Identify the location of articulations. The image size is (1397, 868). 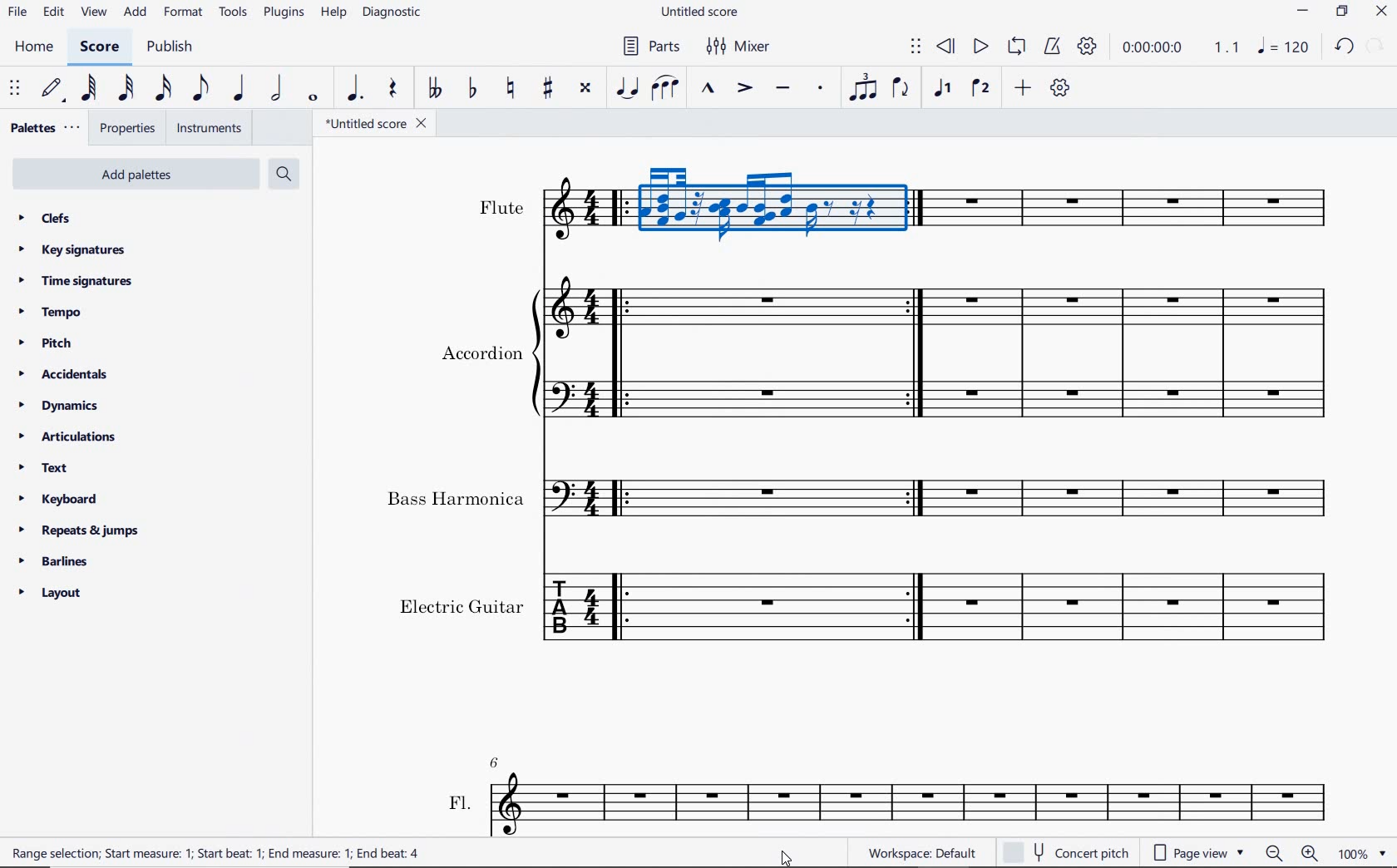
(67, 437).